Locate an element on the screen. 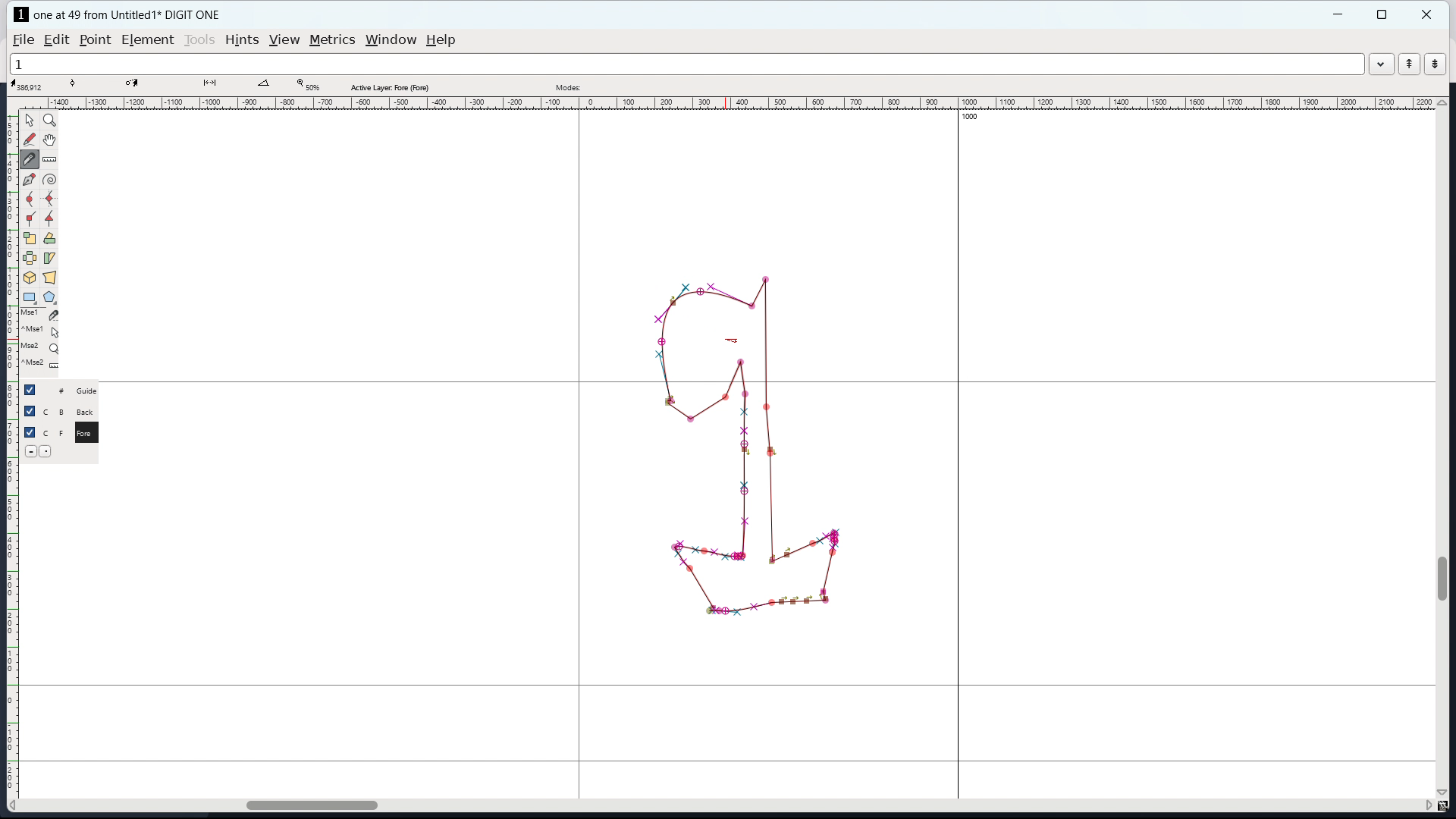 Image resolution: width=1456 pixels, height=819 pixels. fore is located at coordinates (89, 435).